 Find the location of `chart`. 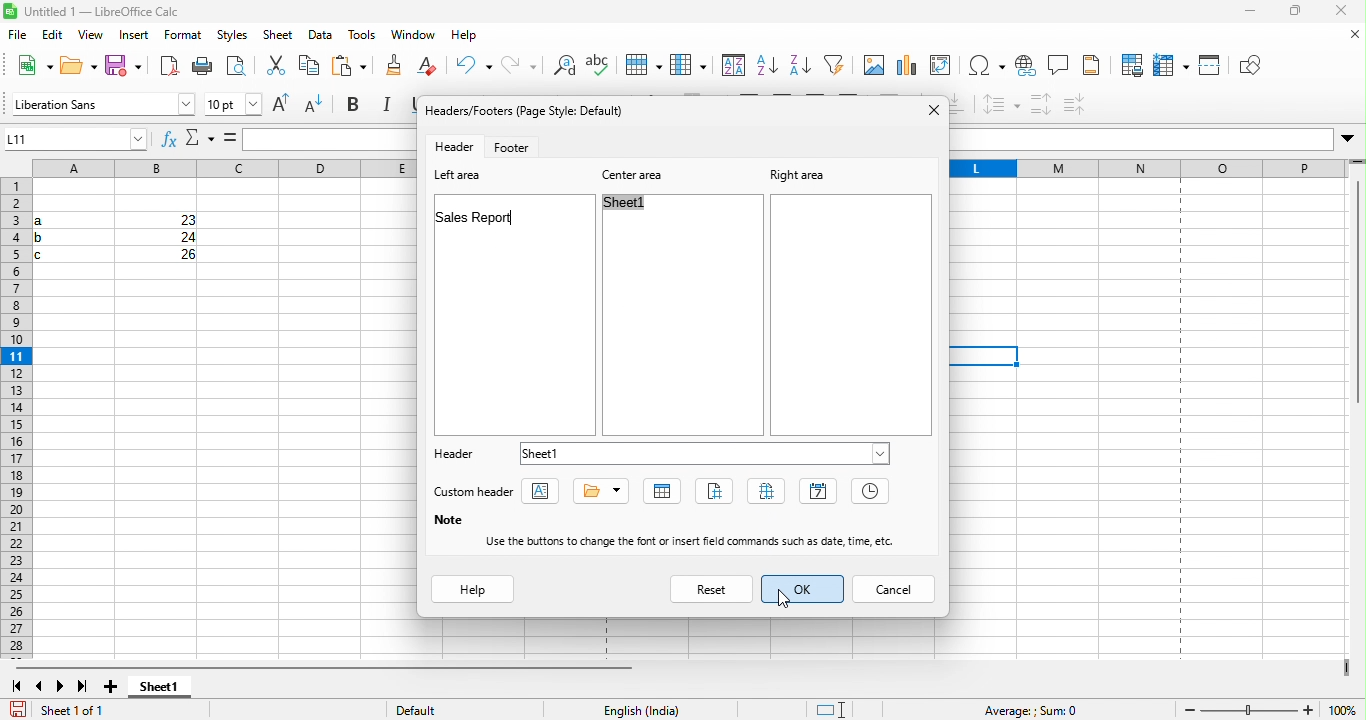

chart is located at coordinates (908, 66).